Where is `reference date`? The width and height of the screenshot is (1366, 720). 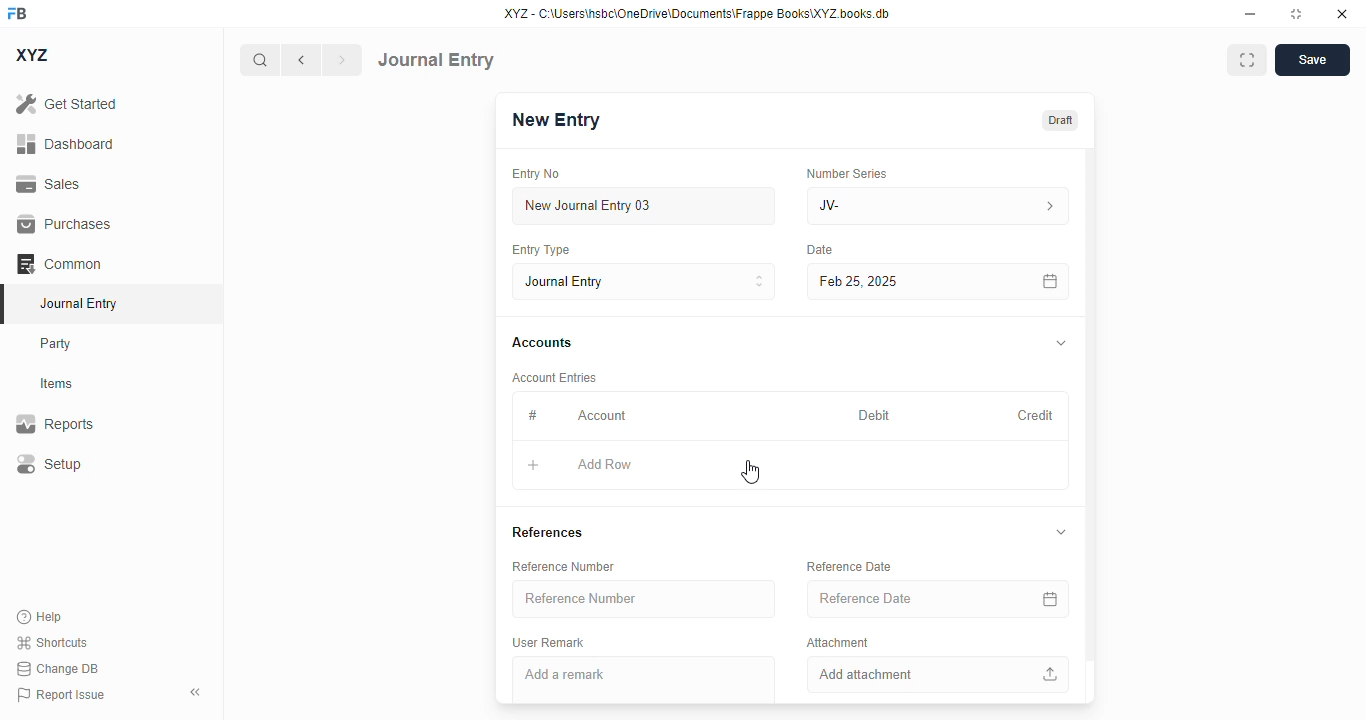 reference date is located at coordinates (900, 598).